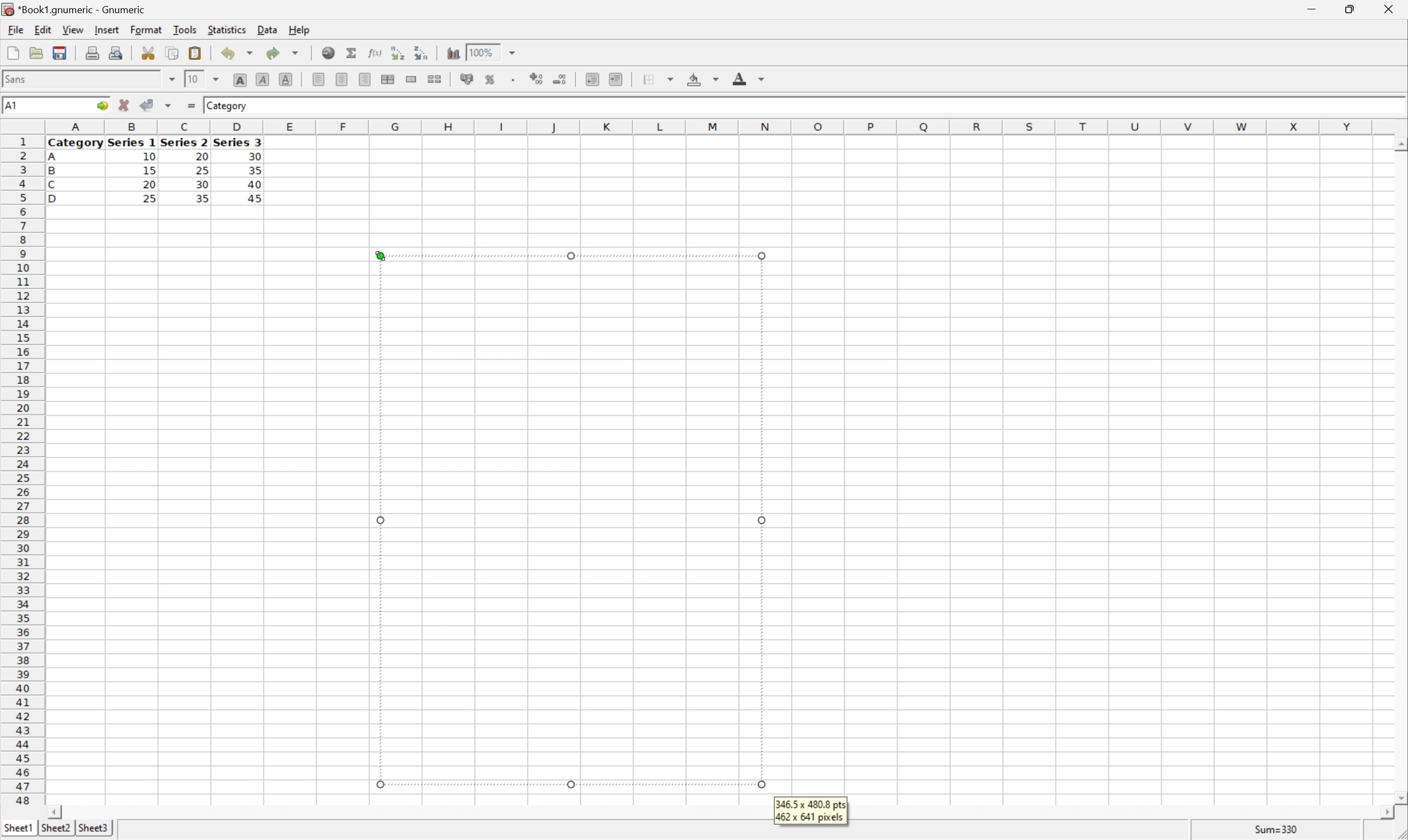  I want to click on 15, so click(149, 170).